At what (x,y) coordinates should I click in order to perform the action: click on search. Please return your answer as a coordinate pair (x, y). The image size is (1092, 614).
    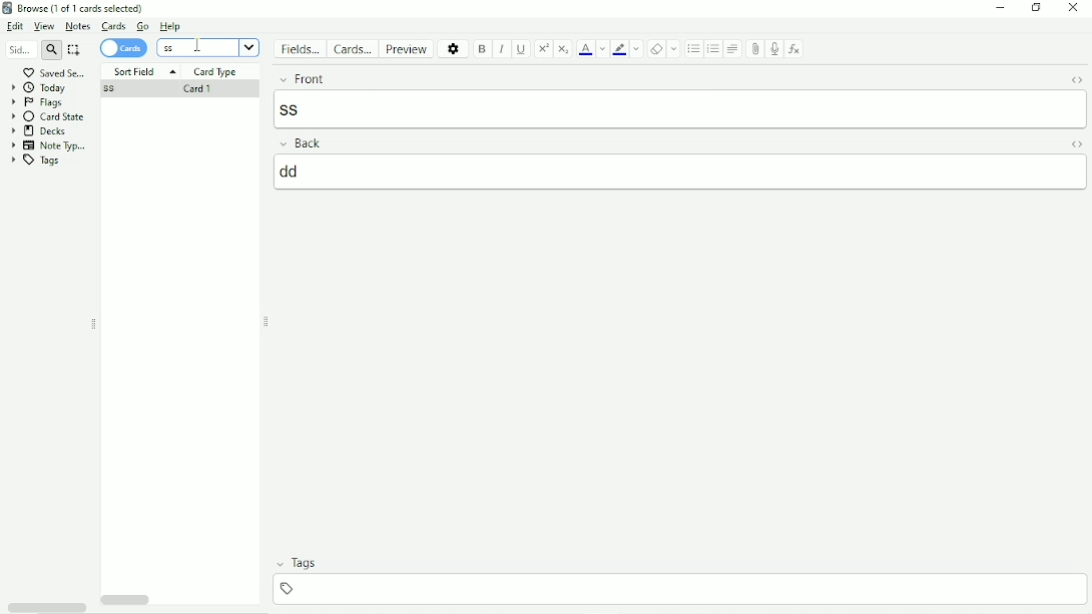
    Looking at the image, I should click on (197, 48).